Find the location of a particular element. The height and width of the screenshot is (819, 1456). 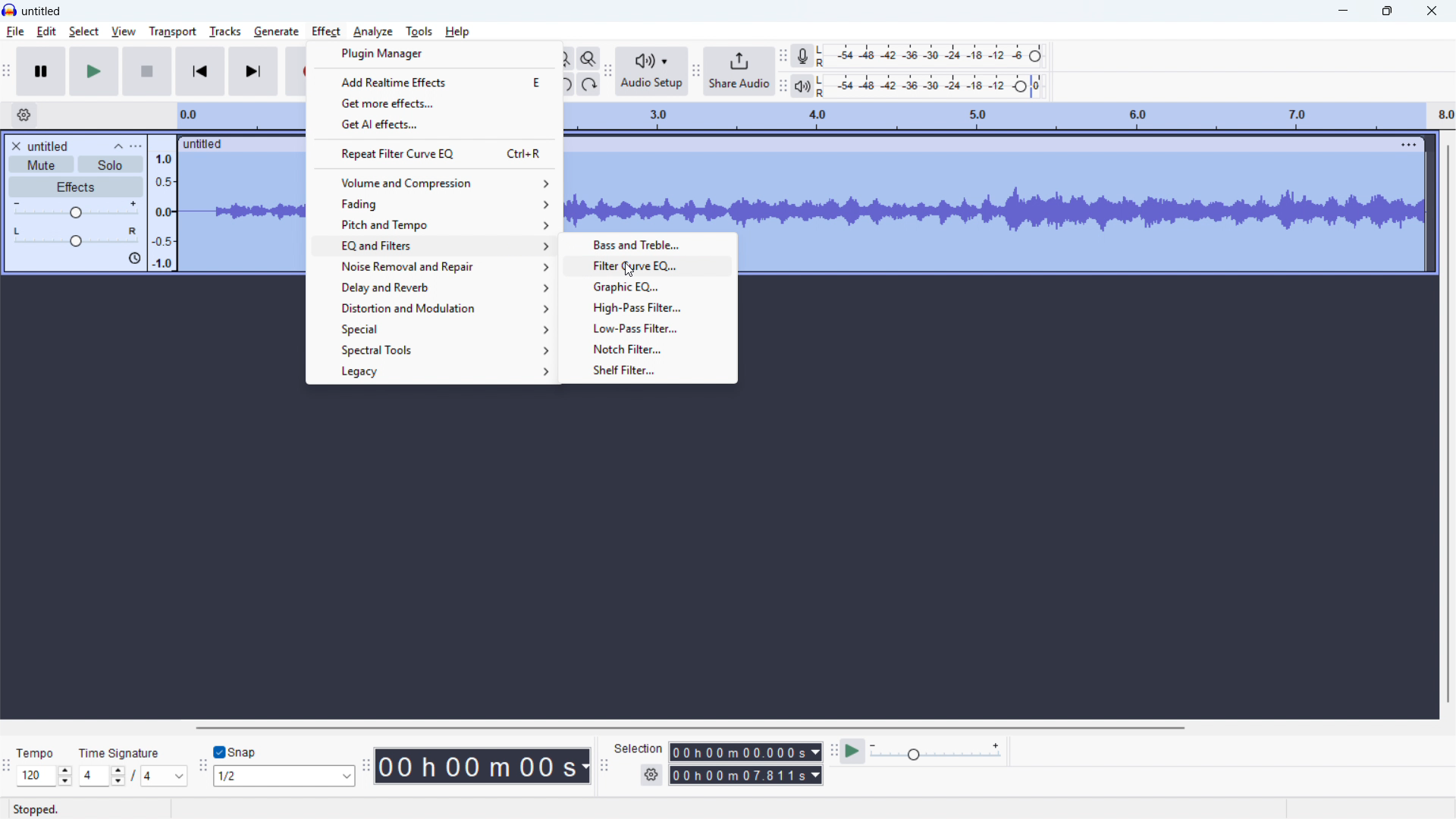

selection is located at coordinates (639, 748).